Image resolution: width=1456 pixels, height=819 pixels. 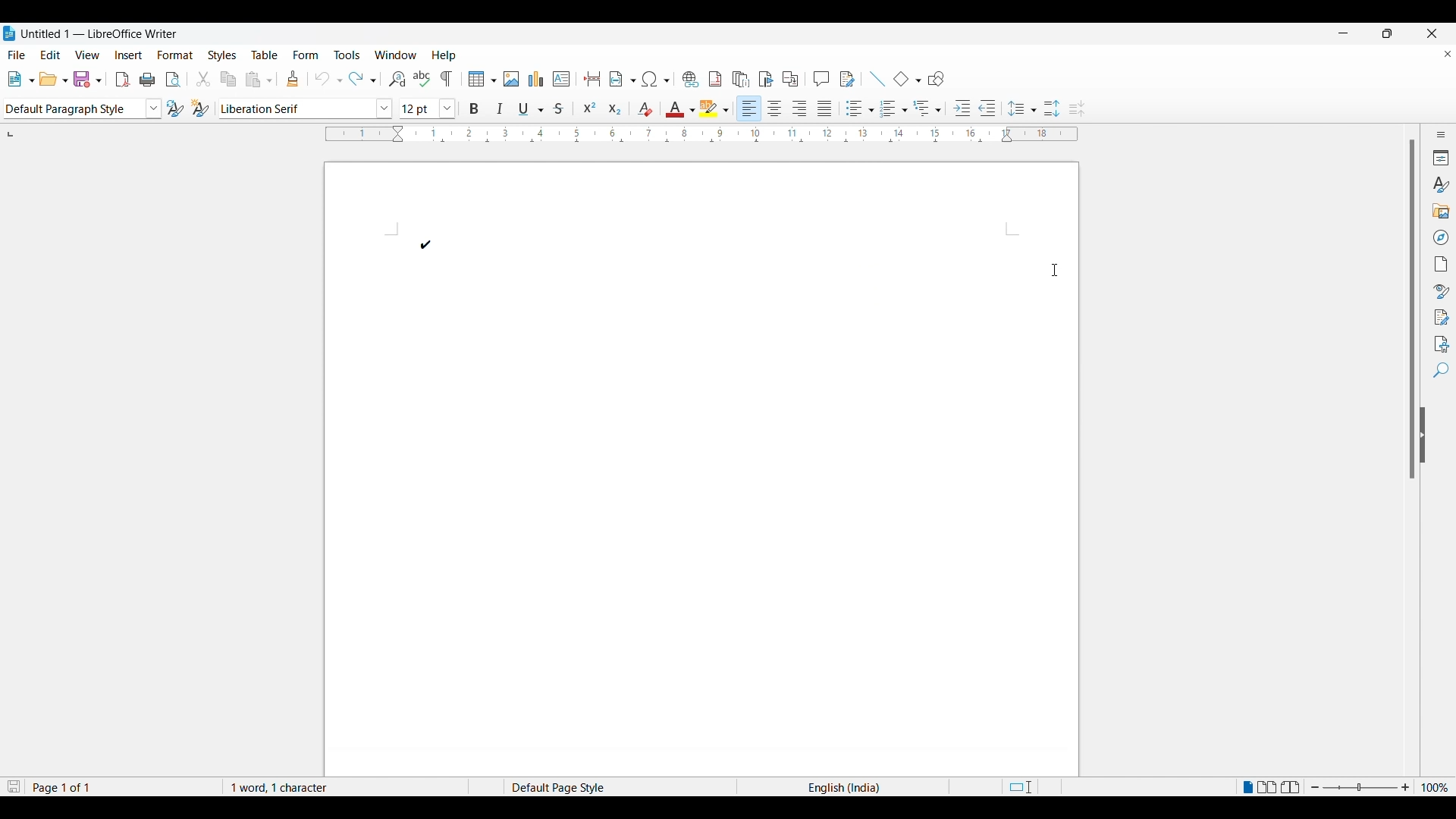 I want to click on Properties", so click(x=1439, y=157).